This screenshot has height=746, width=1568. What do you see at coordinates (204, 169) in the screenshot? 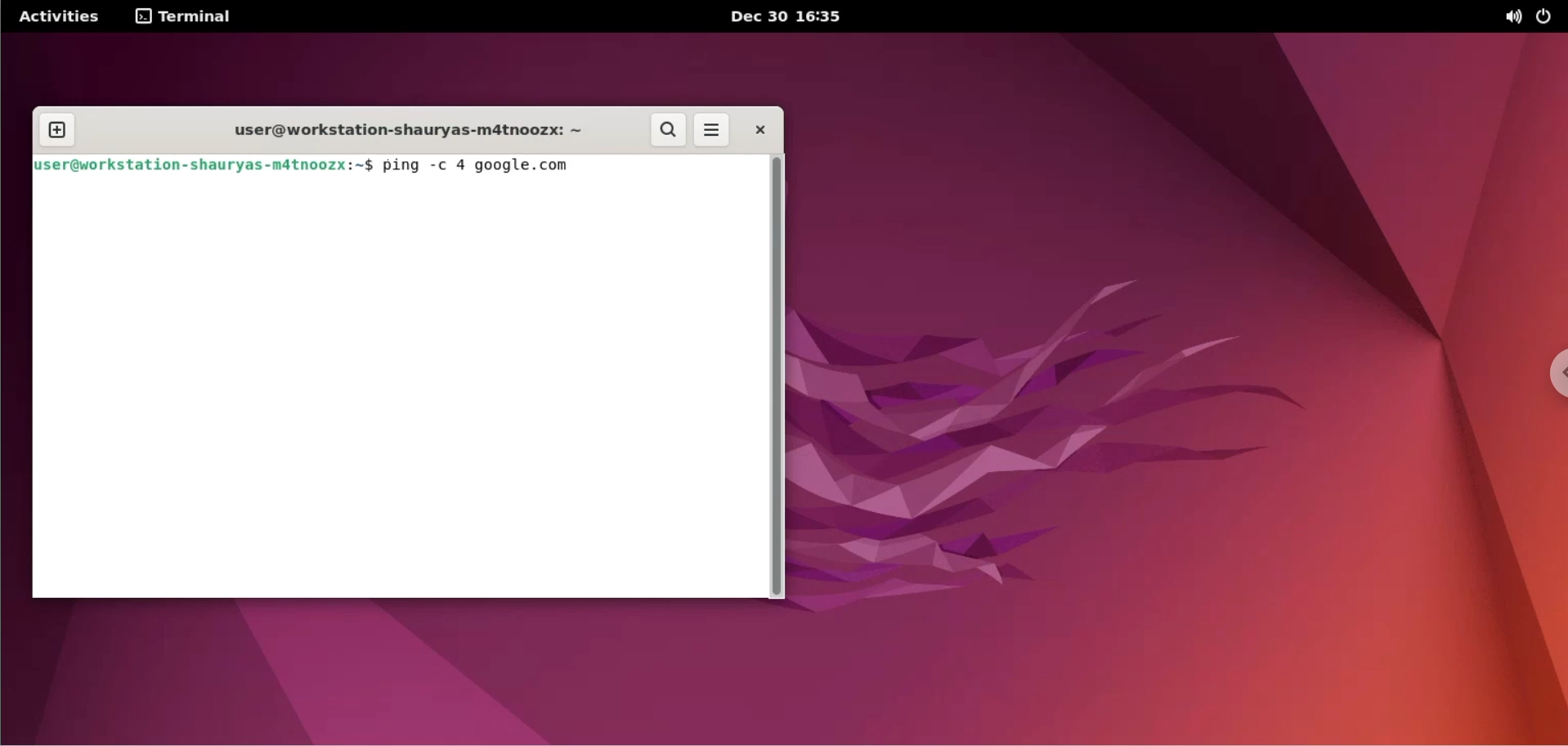
I see `user@workstation-shauryas-m4tnoozx:~$` at bounding box center [204, 169].